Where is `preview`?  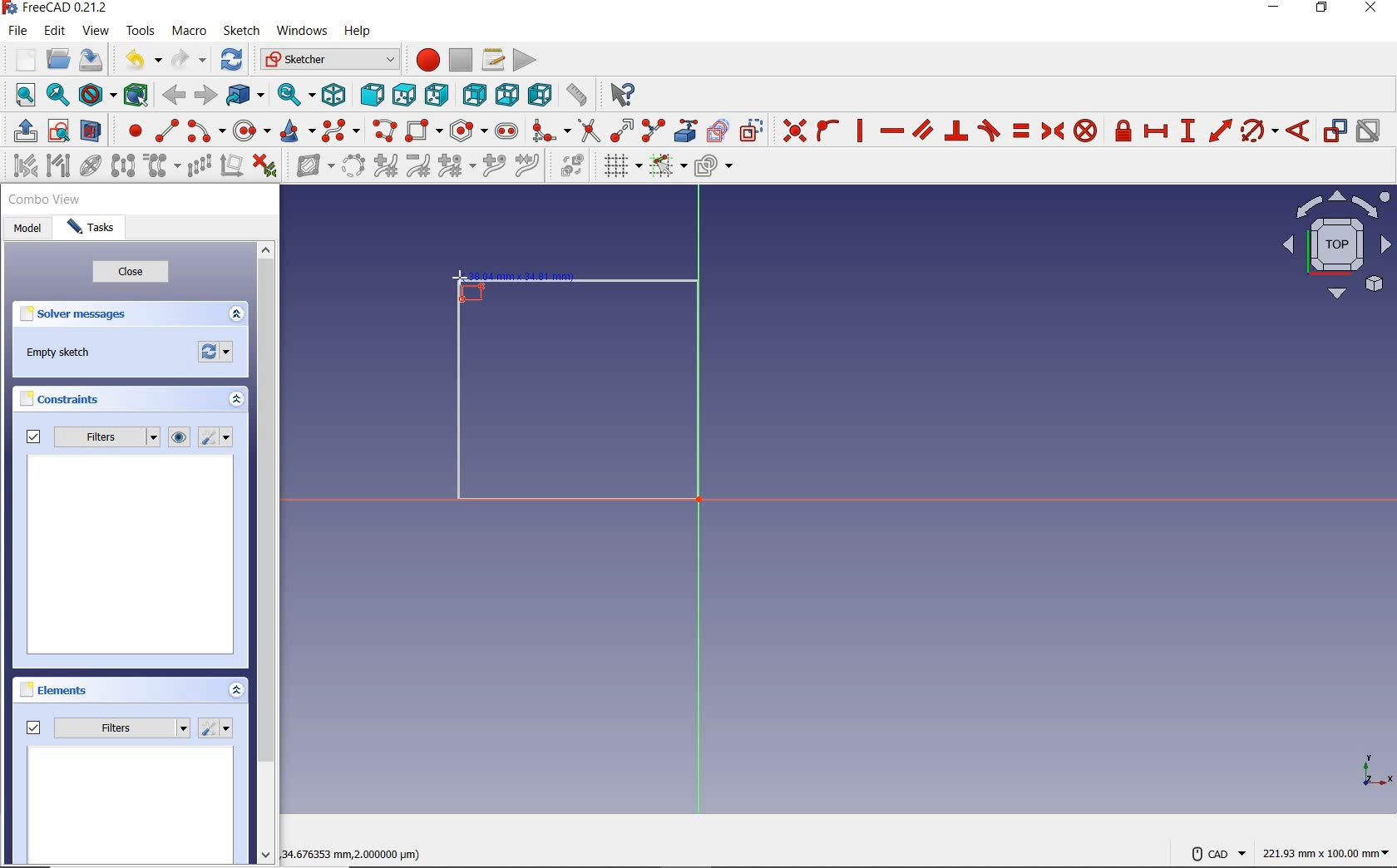 preview is located at coordinates (131, 806).